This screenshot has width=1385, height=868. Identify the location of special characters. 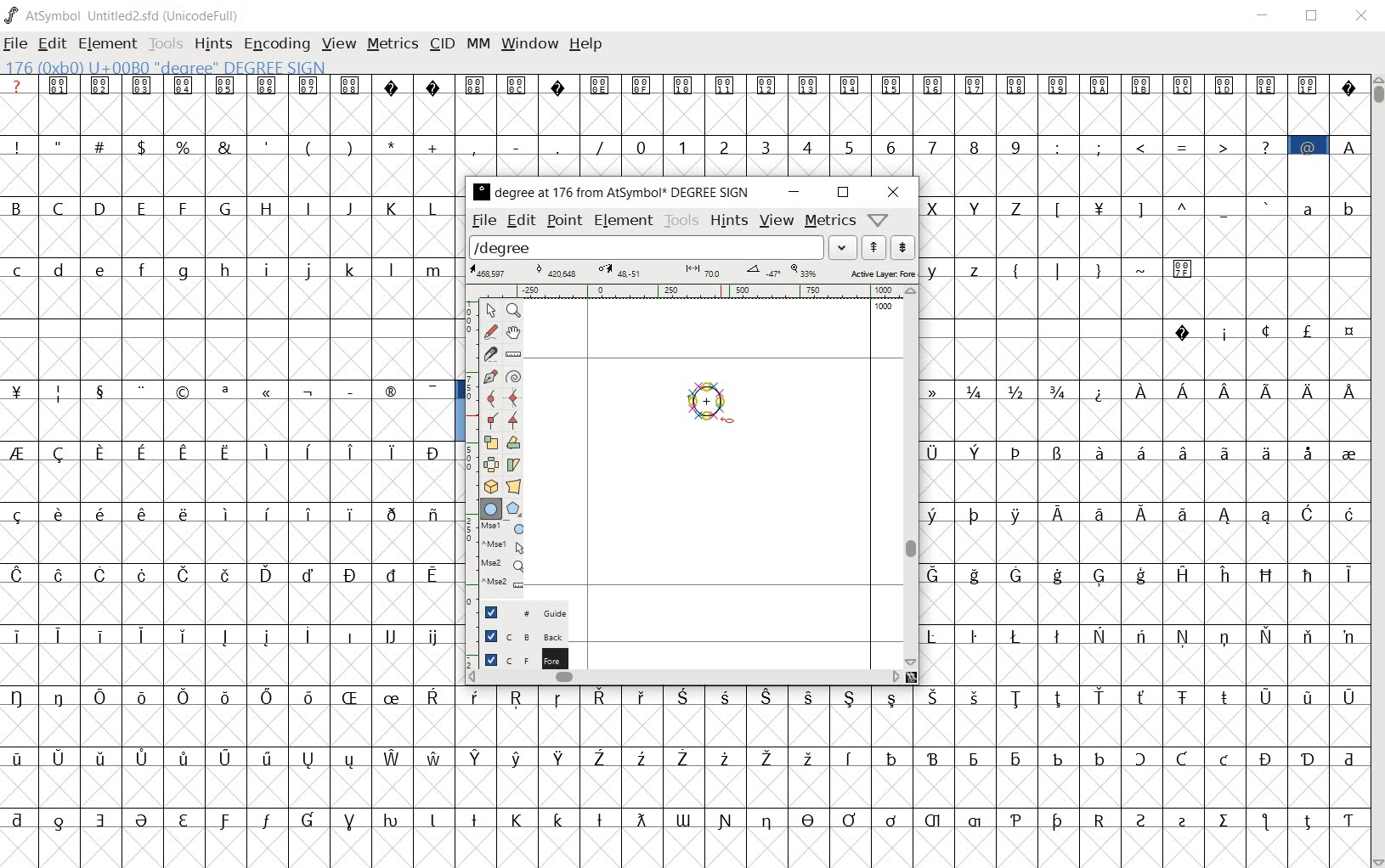
(1263, 330).